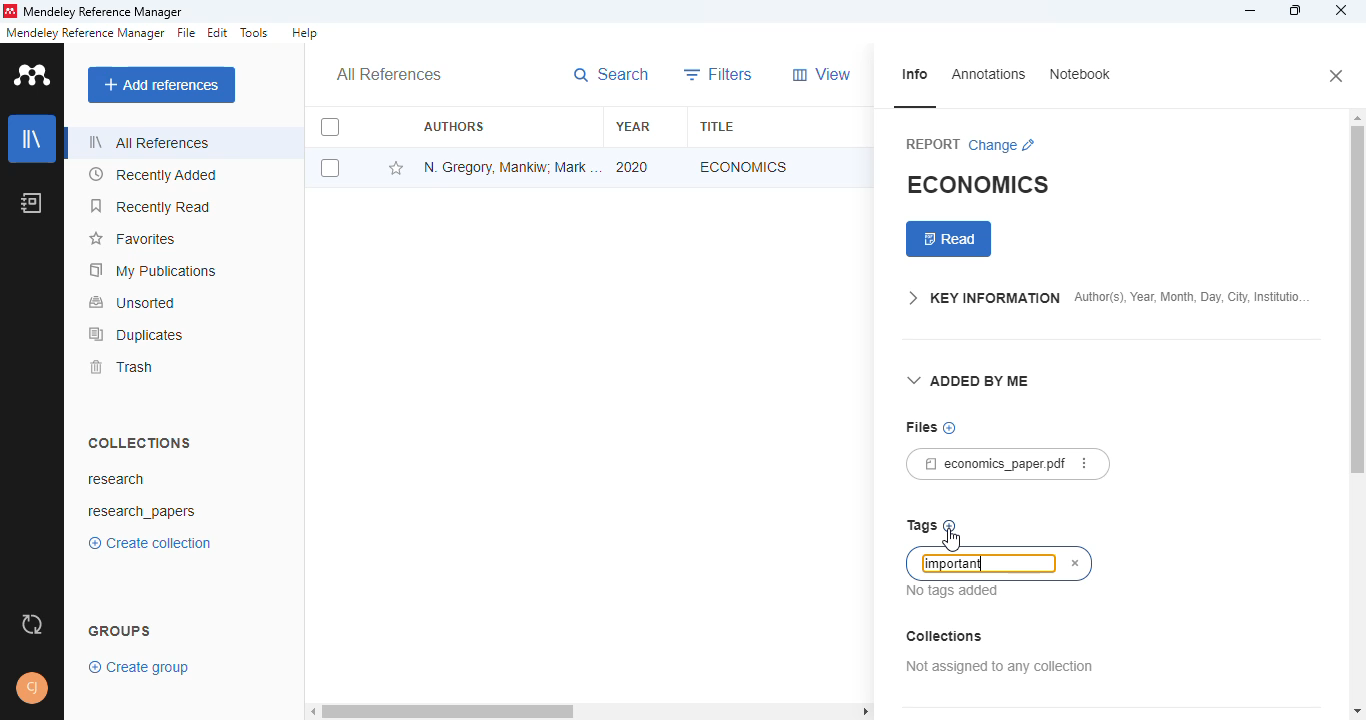  Describe the element at coordinates (256, 33) in the screenshot. I see `tools` at that location.